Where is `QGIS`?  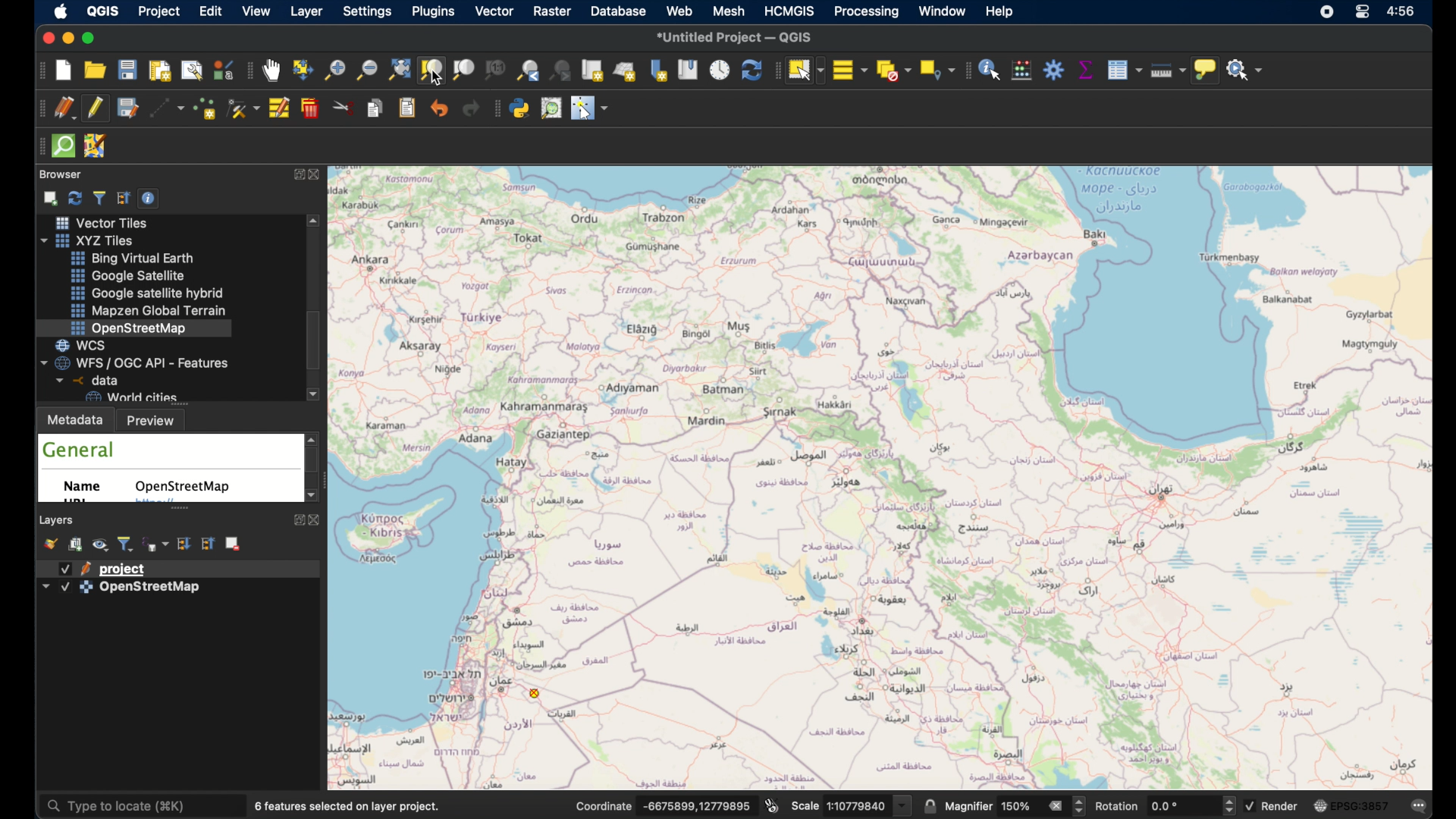 QGIS is located at coordinates (107, 10).